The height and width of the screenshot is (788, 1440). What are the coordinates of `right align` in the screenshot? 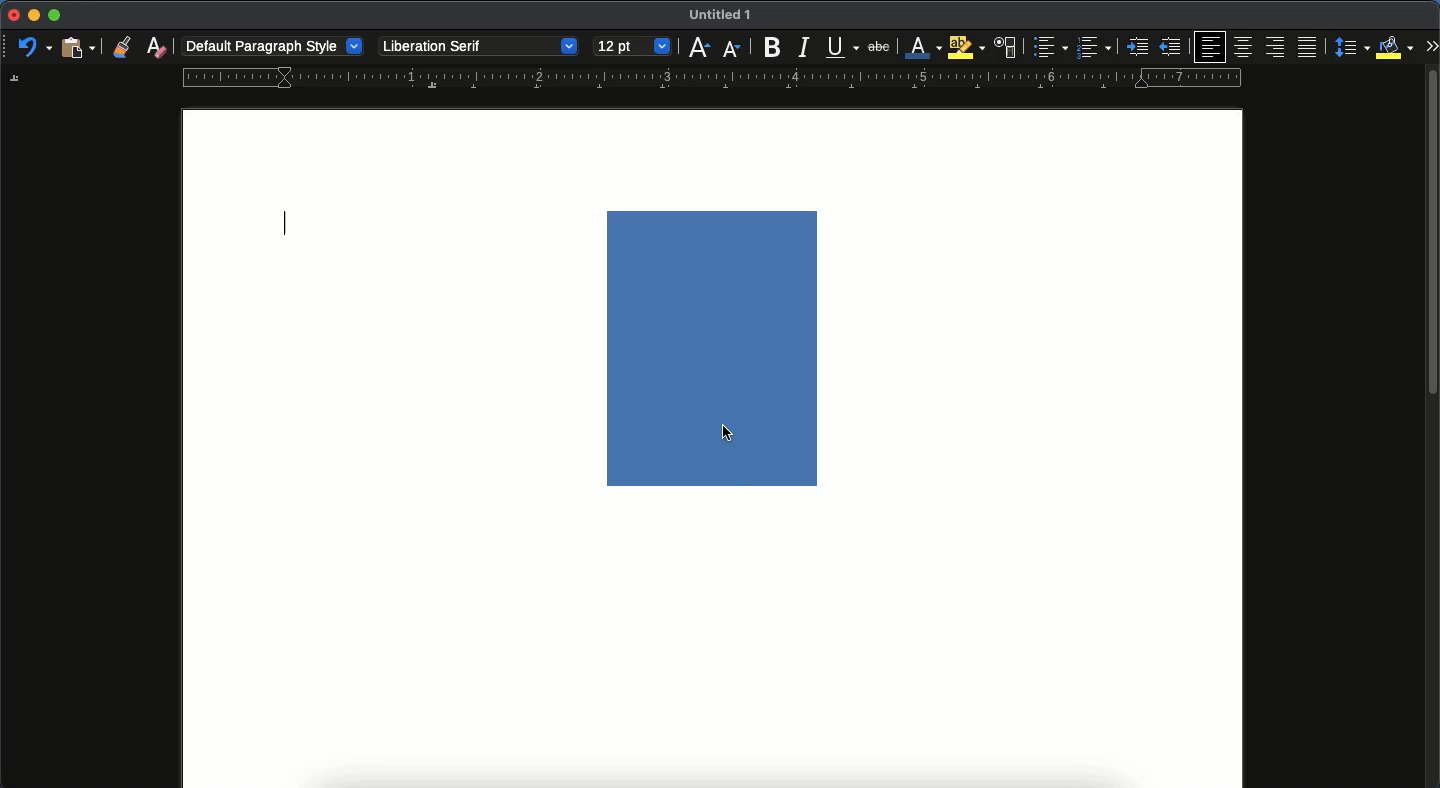 It's located at (1274, 47).